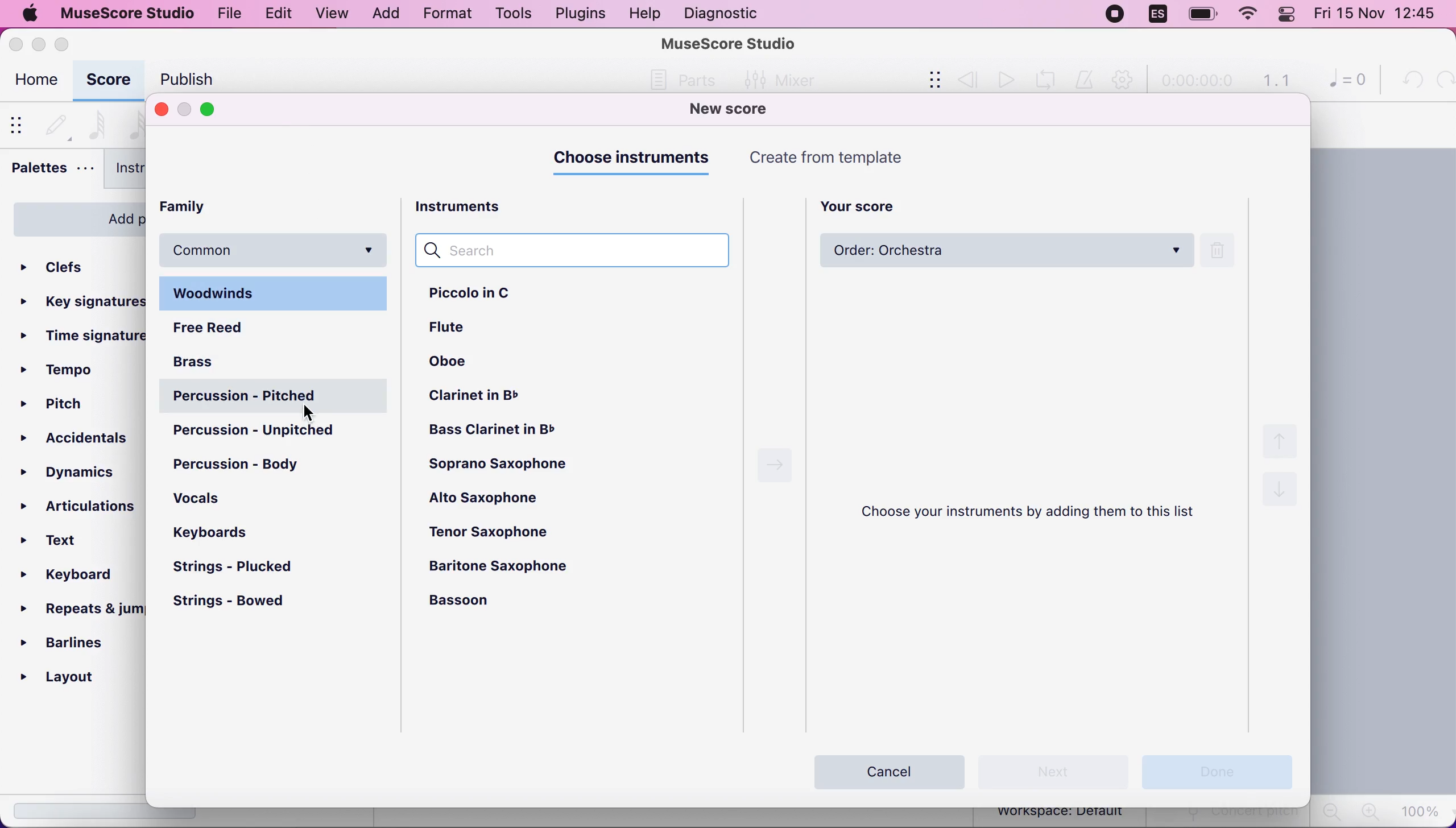  I want to click on brass, so click(210, 360).